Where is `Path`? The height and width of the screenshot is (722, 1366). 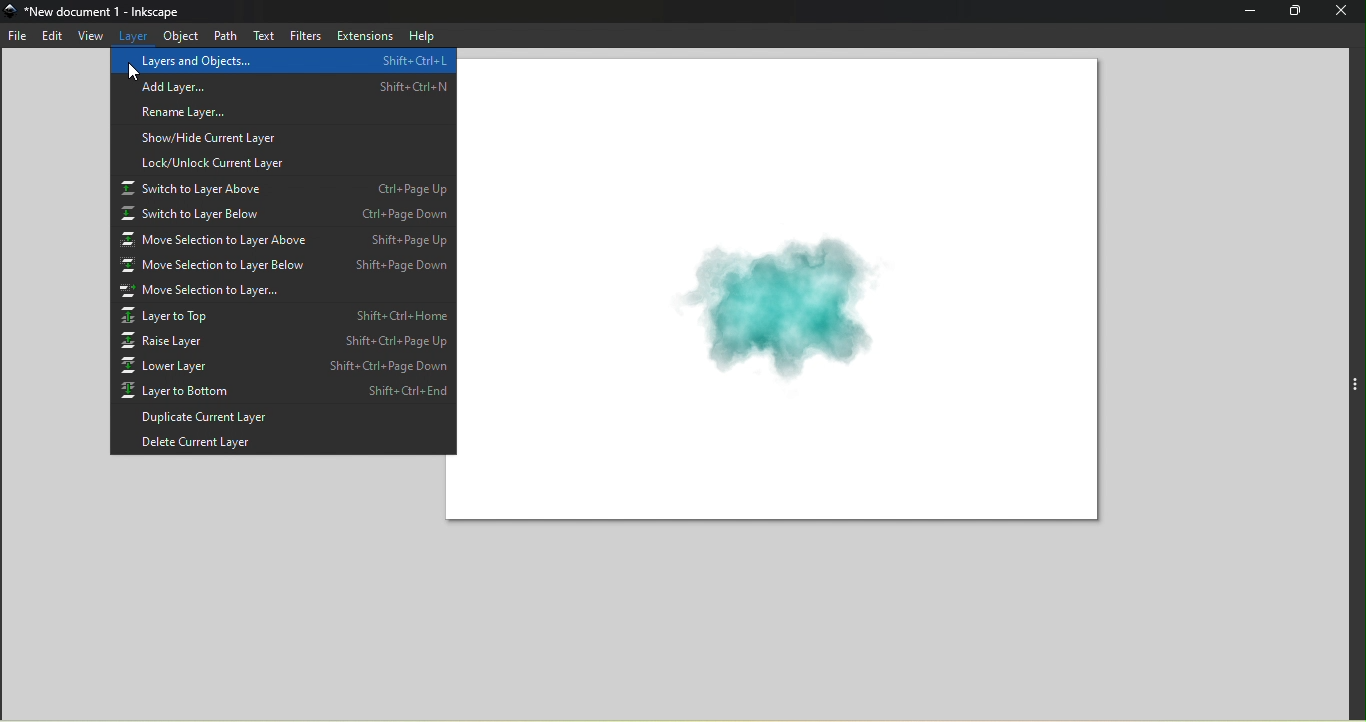
Path is located at coordinates (222, 34).